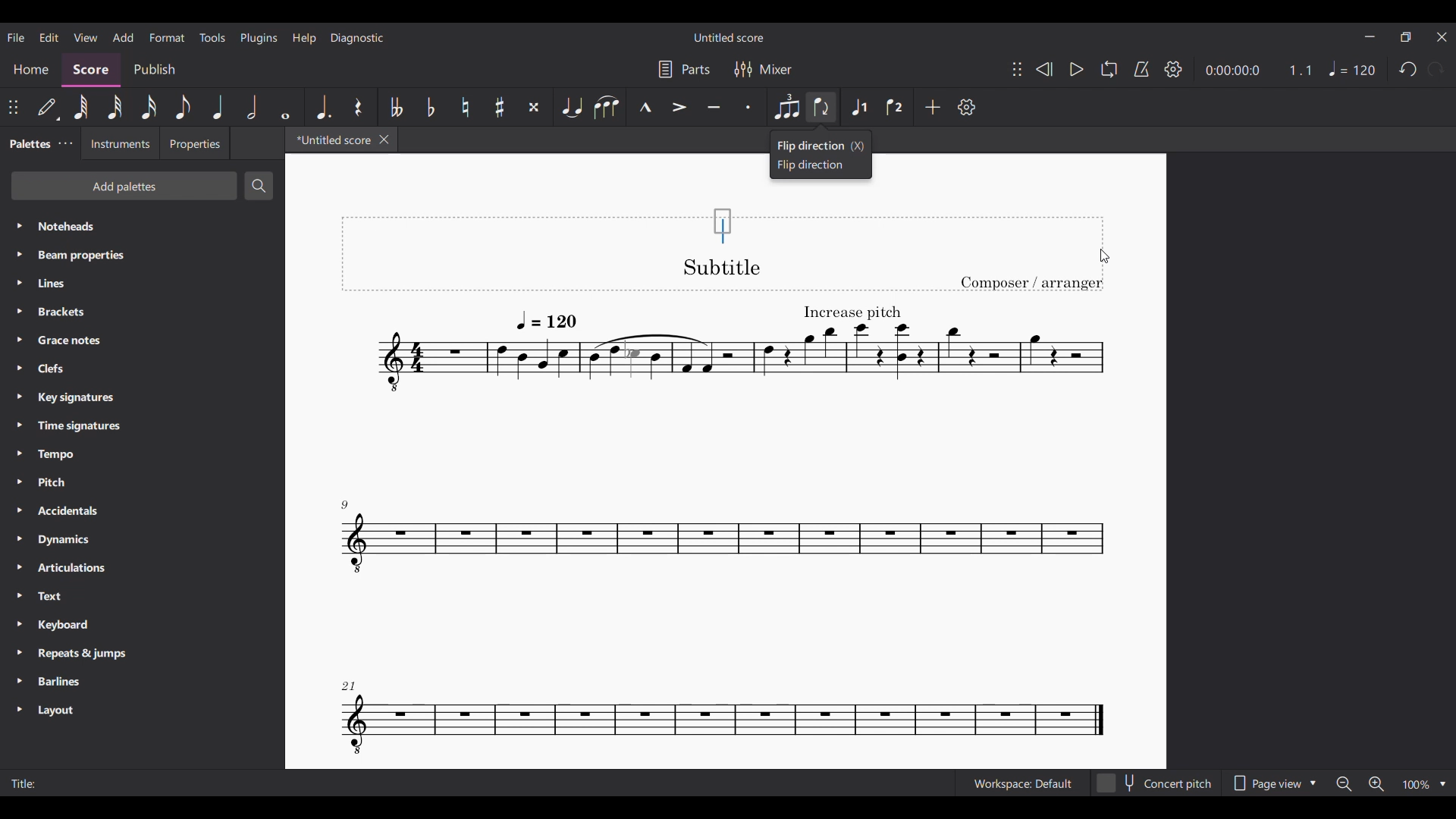  I want to click on File menu, so click(17, 38).